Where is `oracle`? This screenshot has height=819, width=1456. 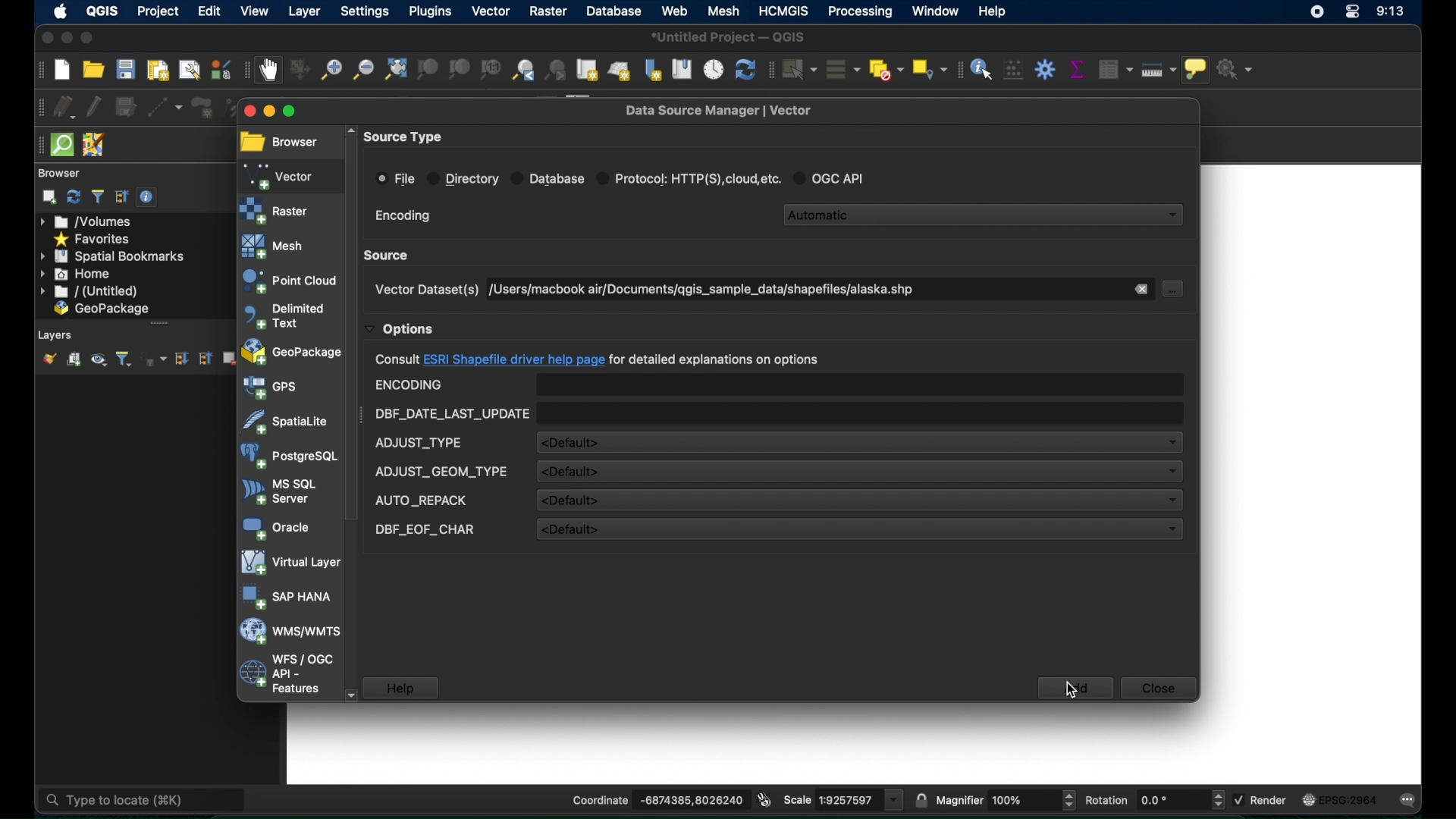 oracle is located at coordinates (274, 527).